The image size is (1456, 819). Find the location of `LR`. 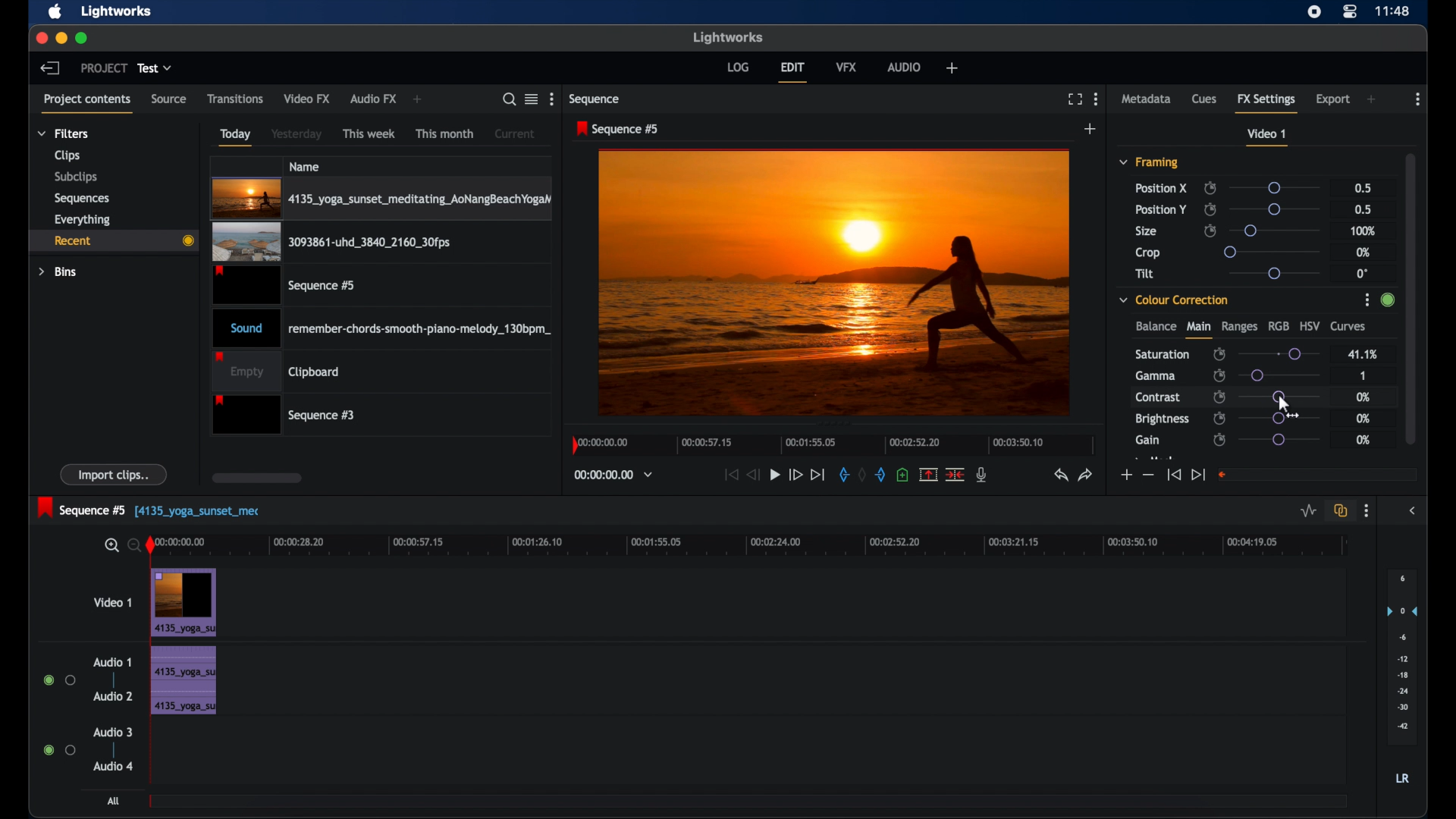

LR is located at coordinates (1402, 779).